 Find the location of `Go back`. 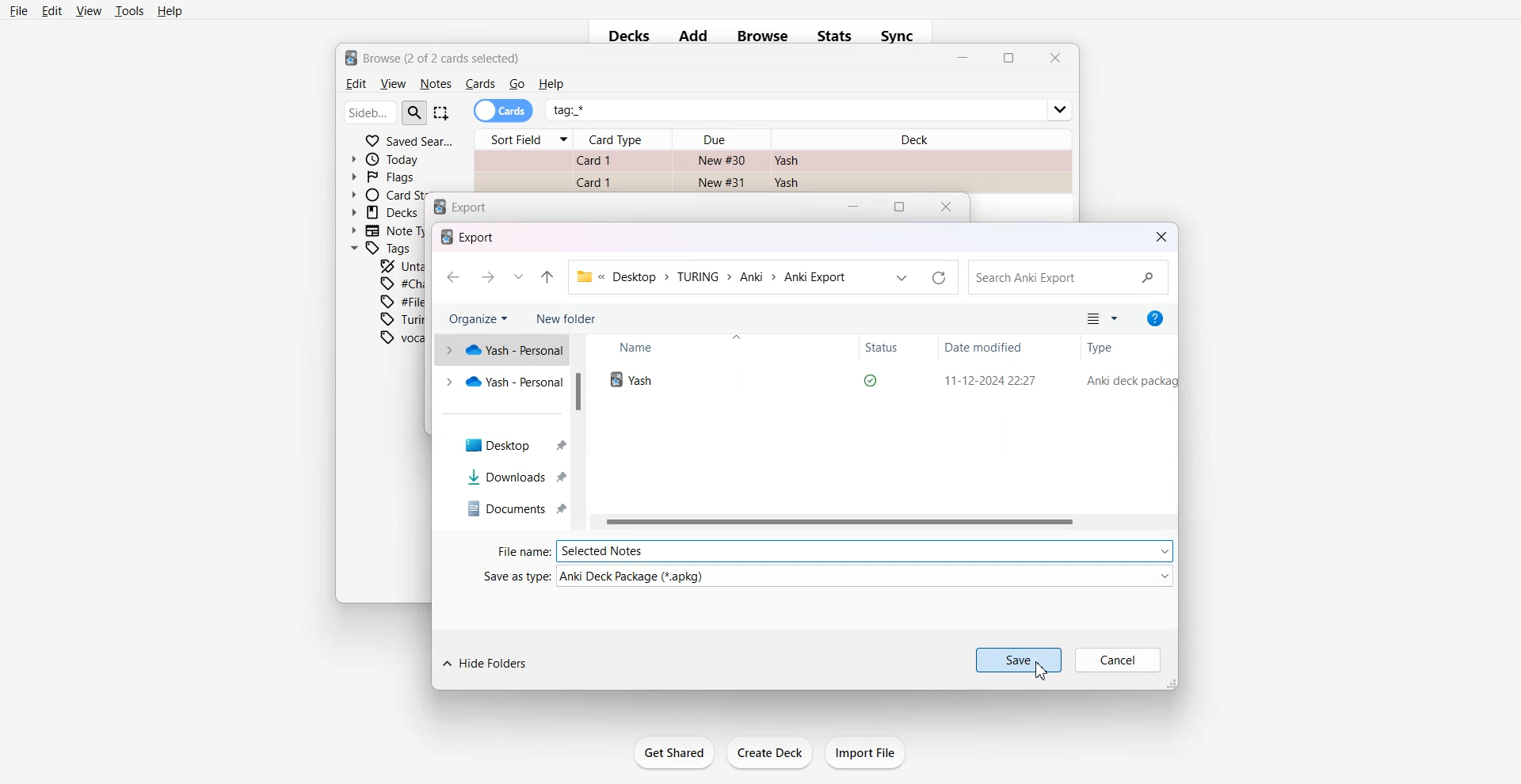

Go back is located at coordinates (452, 276).